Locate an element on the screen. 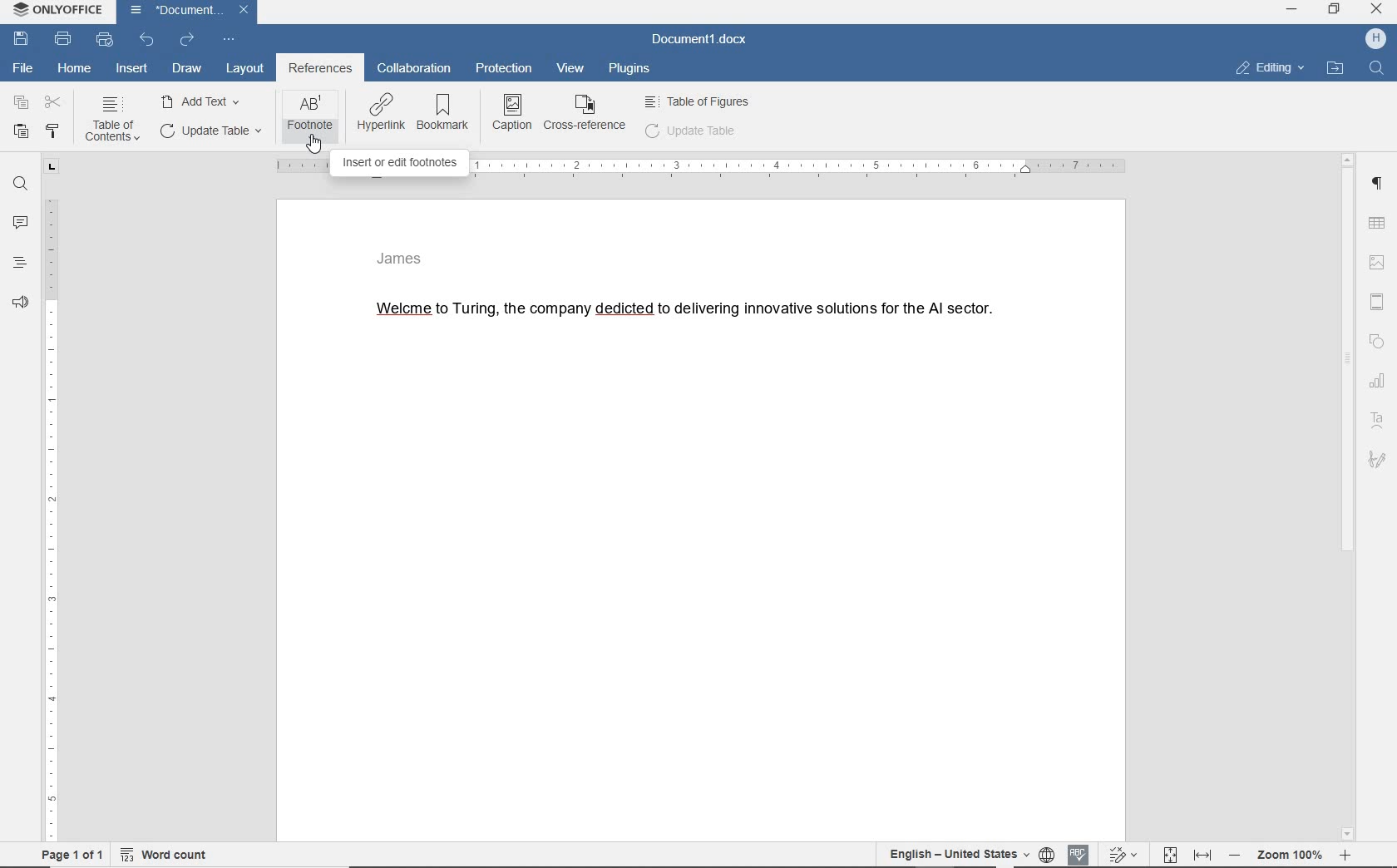  spell check is located at coordinates (1081, 855).